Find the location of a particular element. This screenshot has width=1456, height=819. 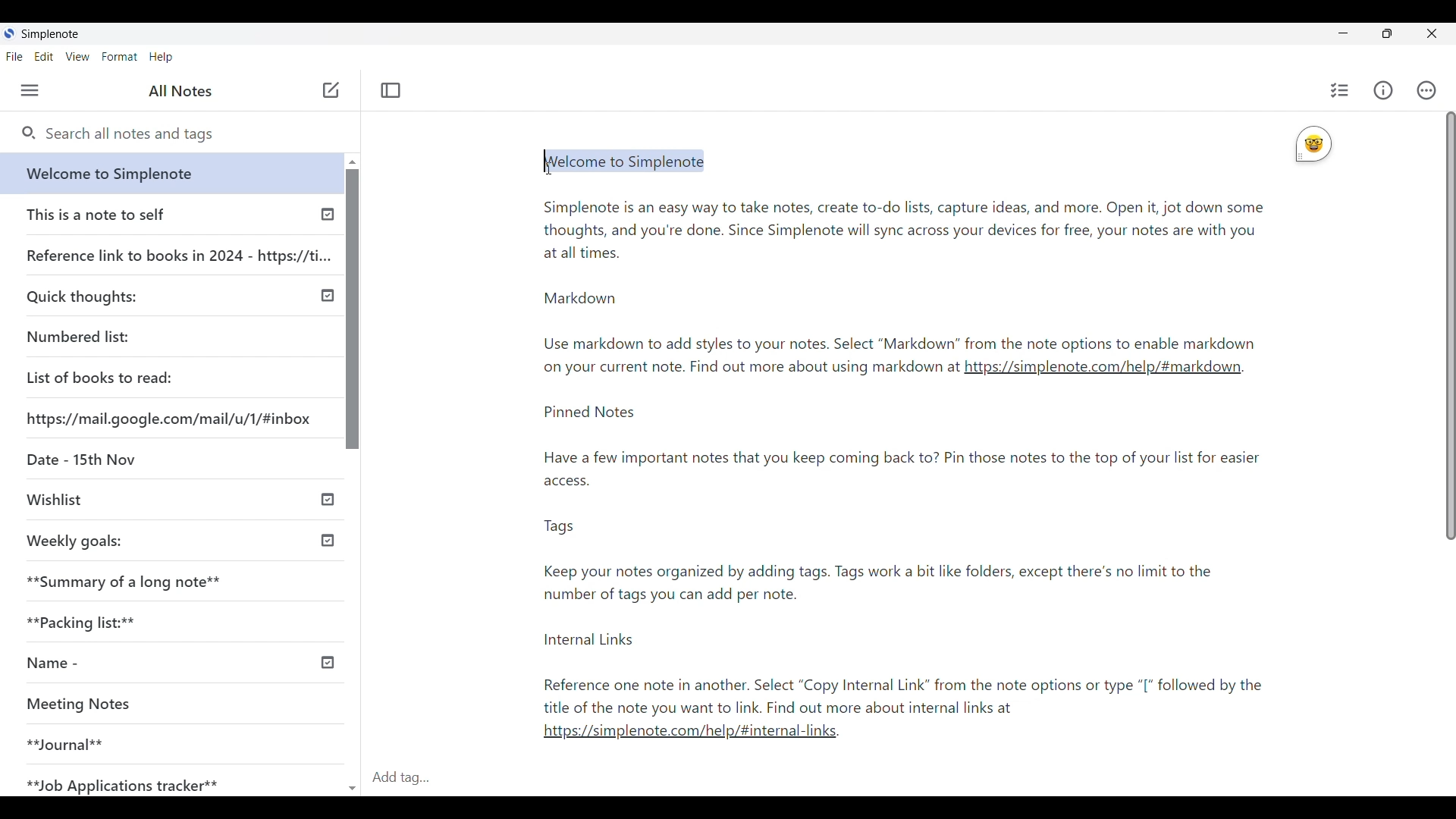

Software logo is located at coordinates (9, 33).